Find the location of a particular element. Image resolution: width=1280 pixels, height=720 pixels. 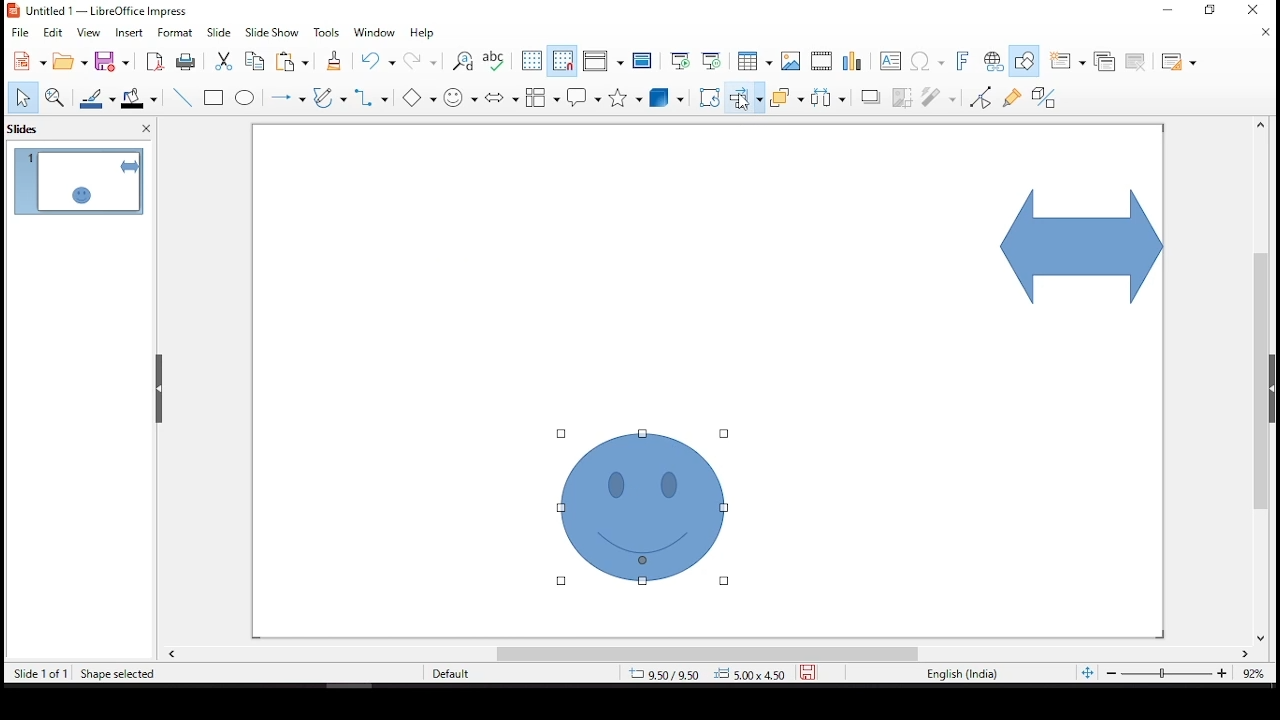

fill color is located at coordinates (139, 101).